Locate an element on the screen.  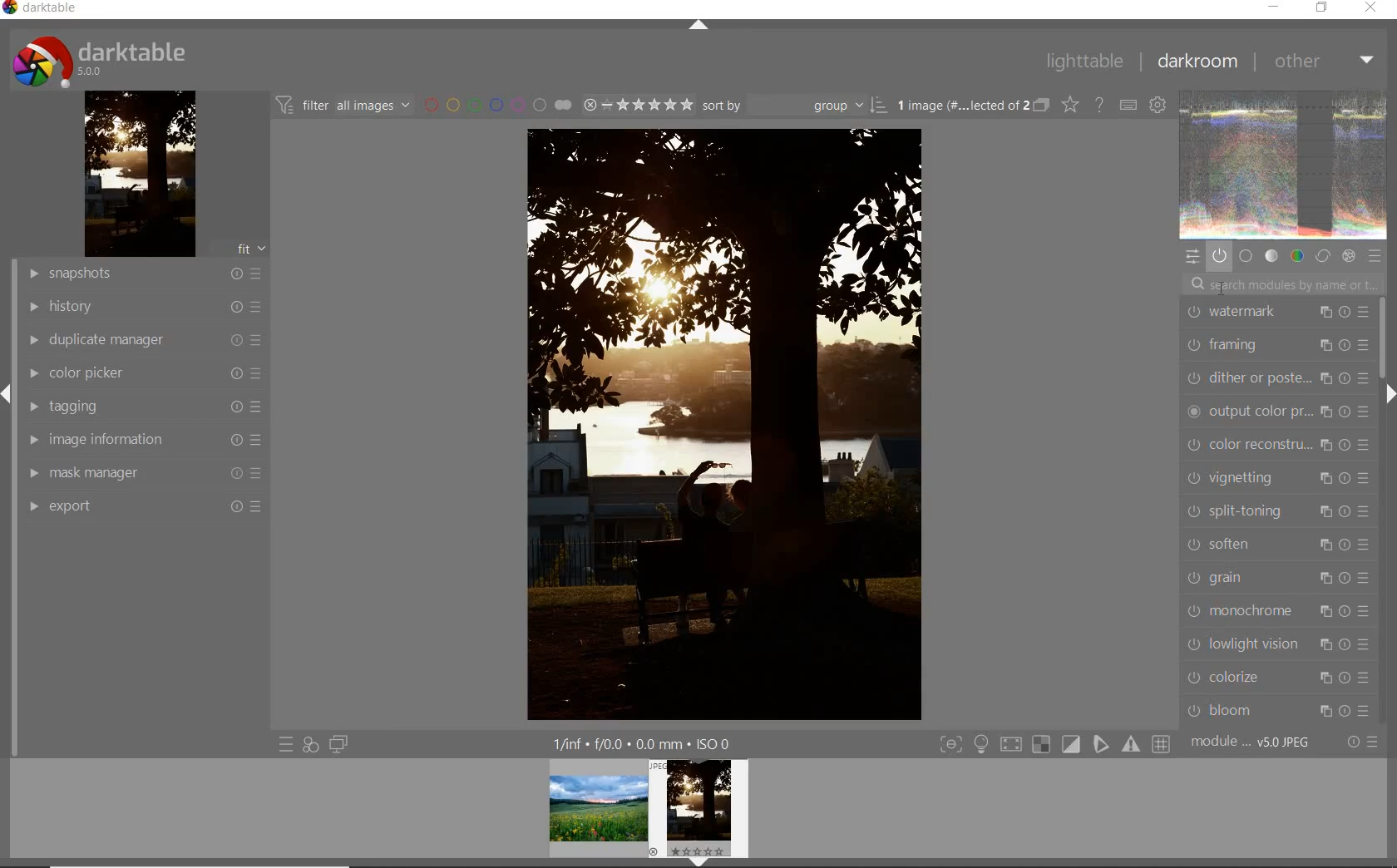
image information is located at coordinates (141, 439).